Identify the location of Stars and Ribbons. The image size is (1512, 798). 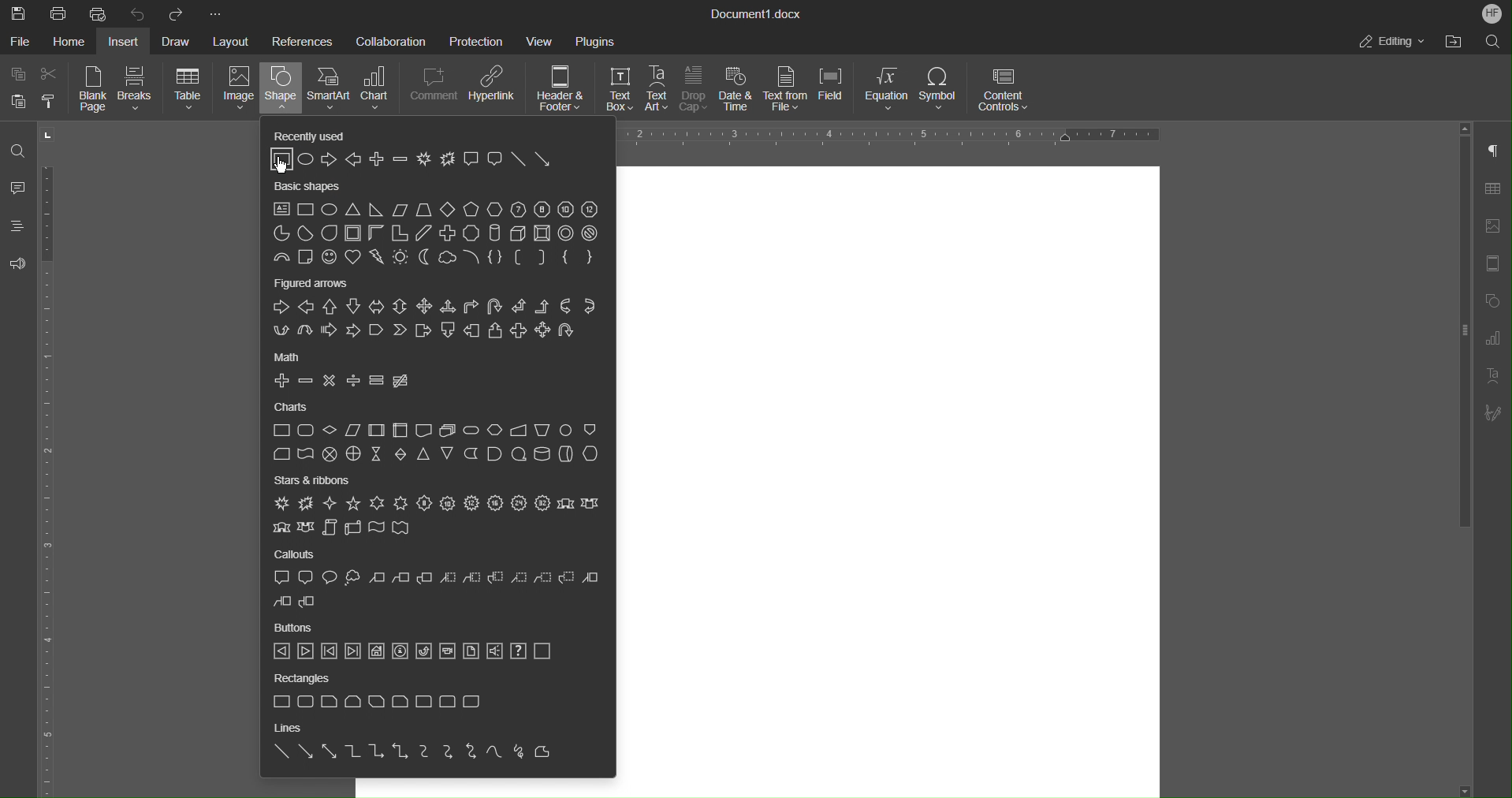
(437, 516).